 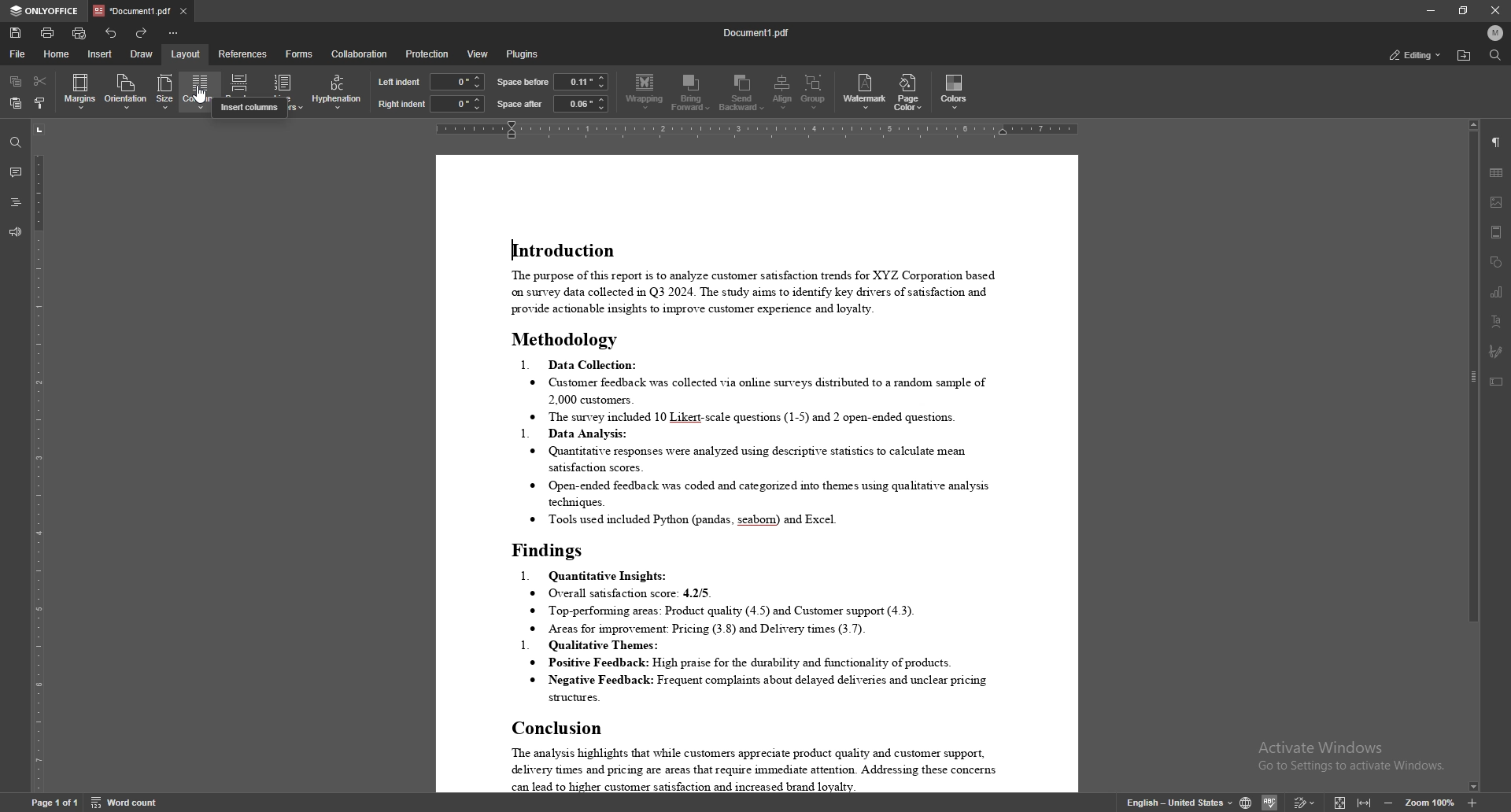 I want to click on find, so click(x=16, y=142).